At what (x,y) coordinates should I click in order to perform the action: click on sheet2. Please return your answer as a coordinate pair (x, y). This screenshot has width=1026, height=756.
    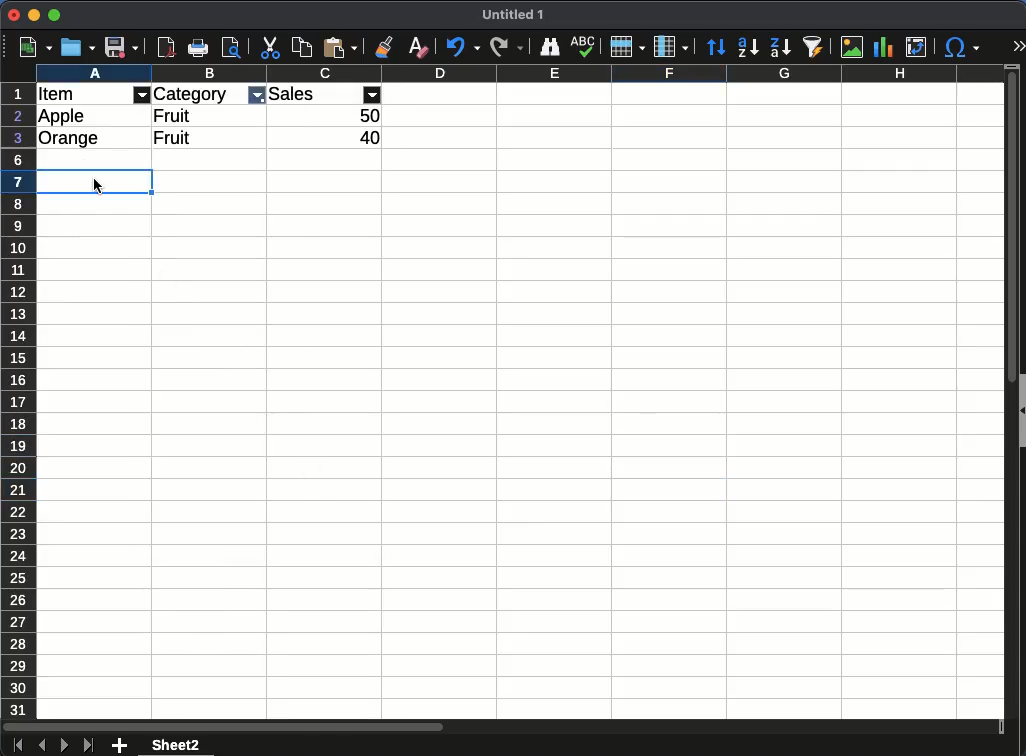
    Looking at the image, I should click on (179, 745).